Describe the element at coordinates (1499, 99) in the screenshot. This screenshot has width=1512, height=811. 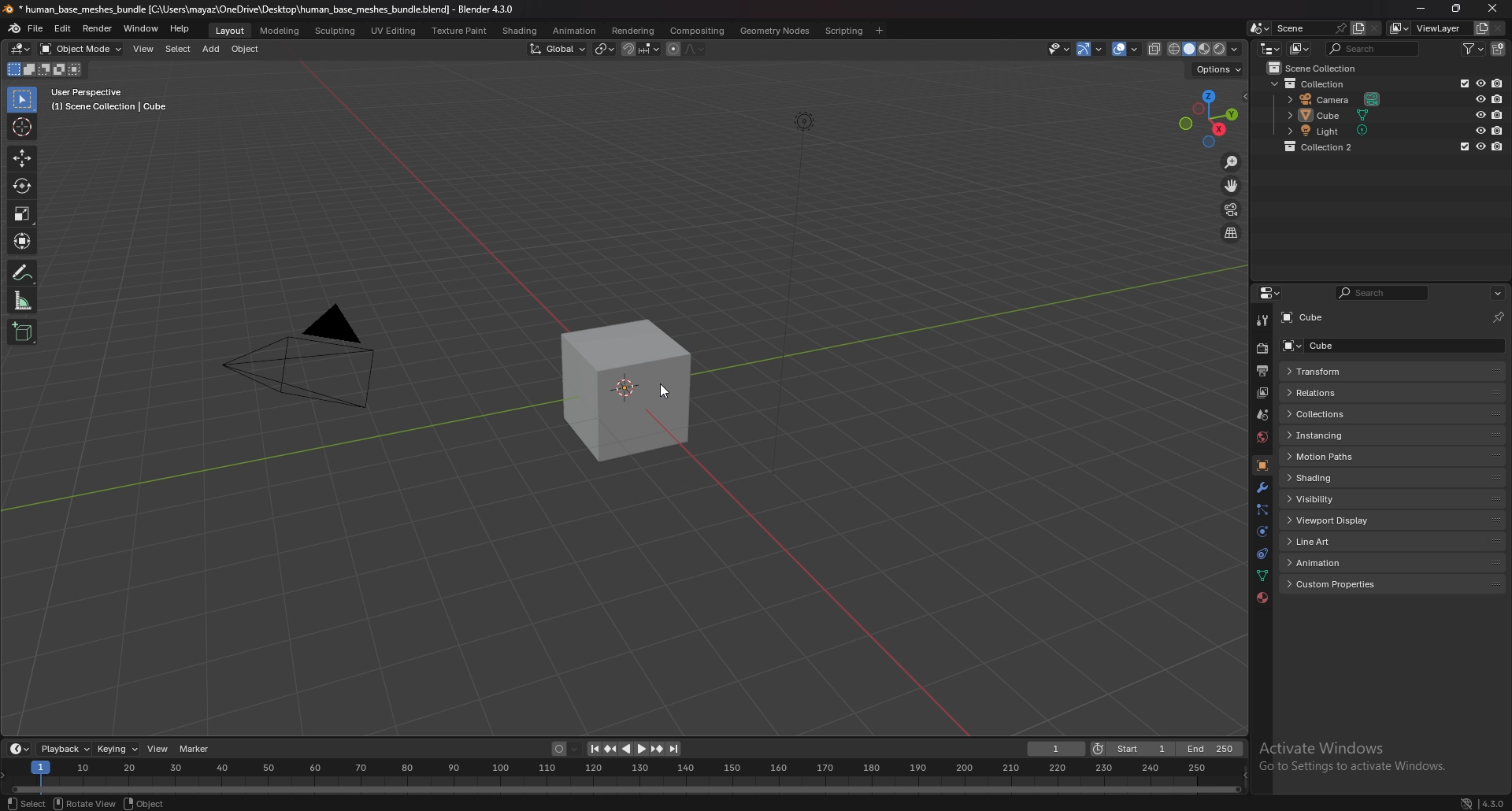
I see `disable in renders` at that location.